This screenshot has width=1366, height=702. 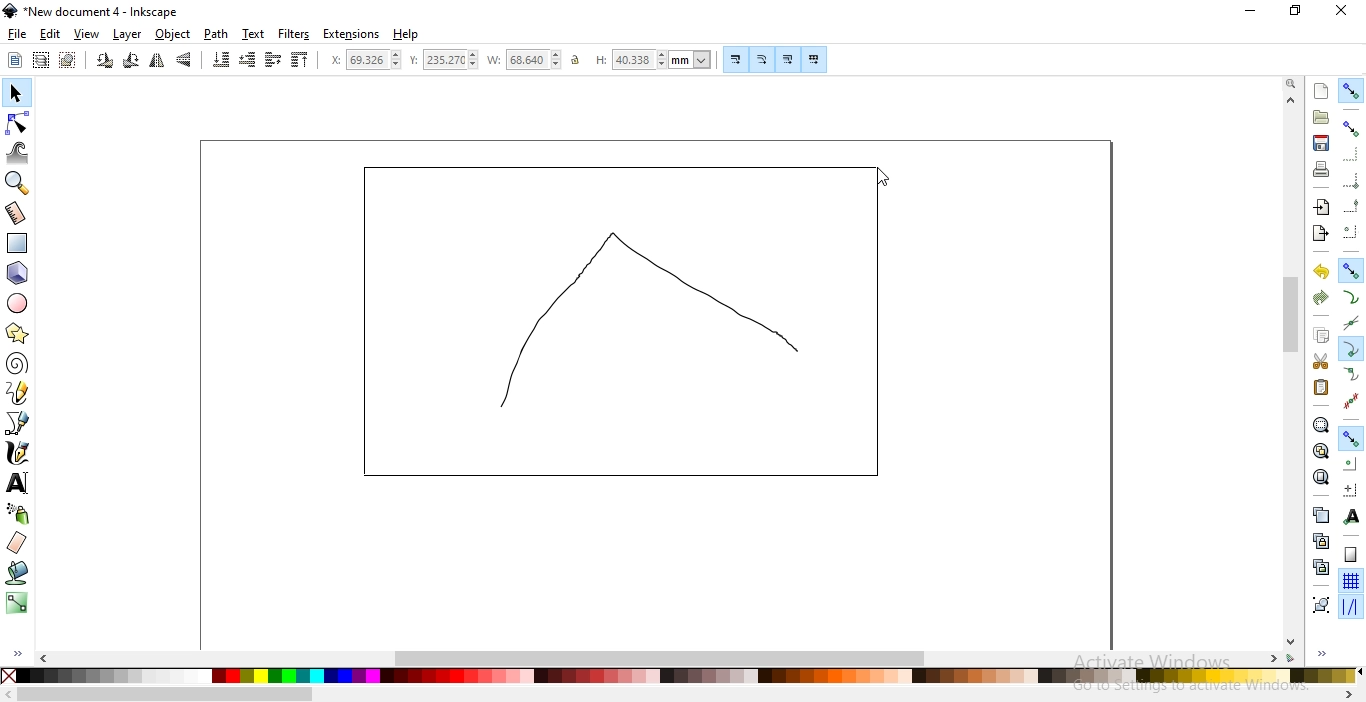 I want to click on scrollbar, so click(x=166, y=696).